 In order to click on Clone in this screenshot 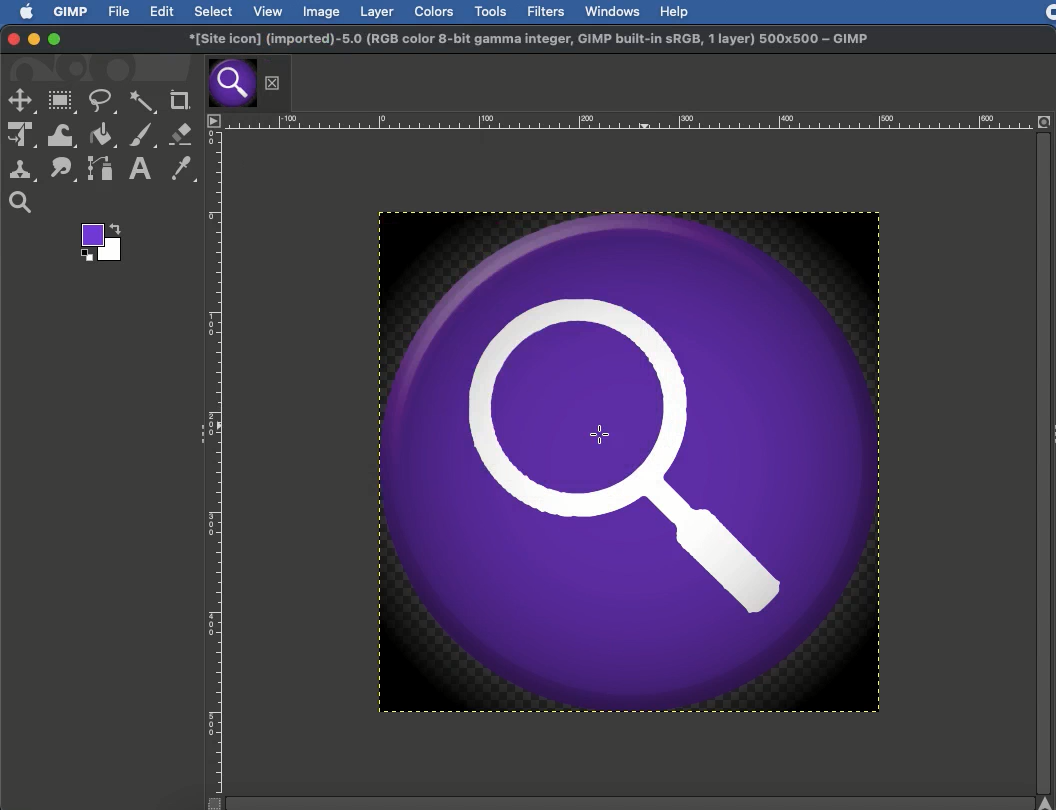, I will do `click(23, 170)`.